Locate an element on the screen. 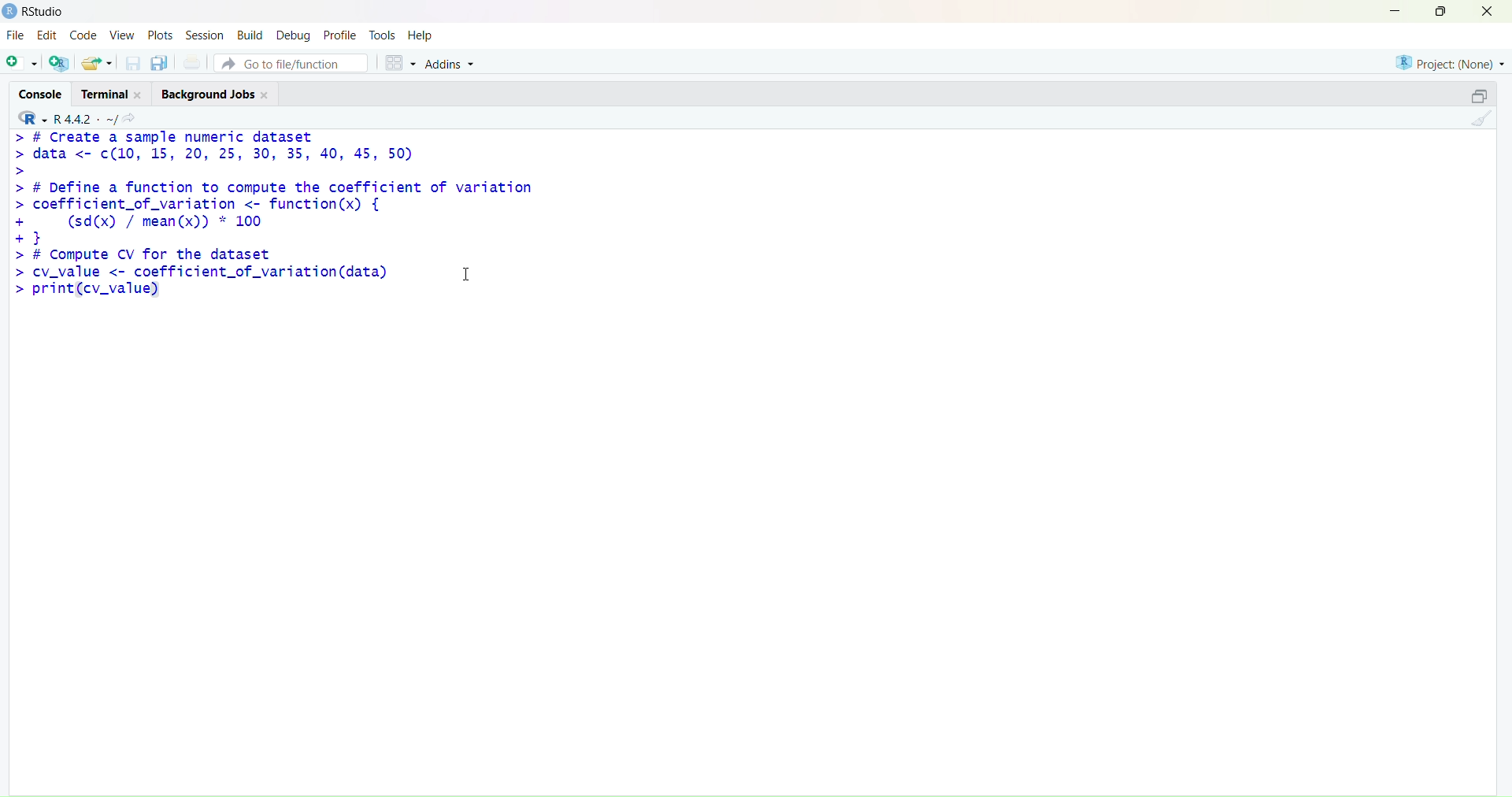  cursor is located at coordinates (466, 273).